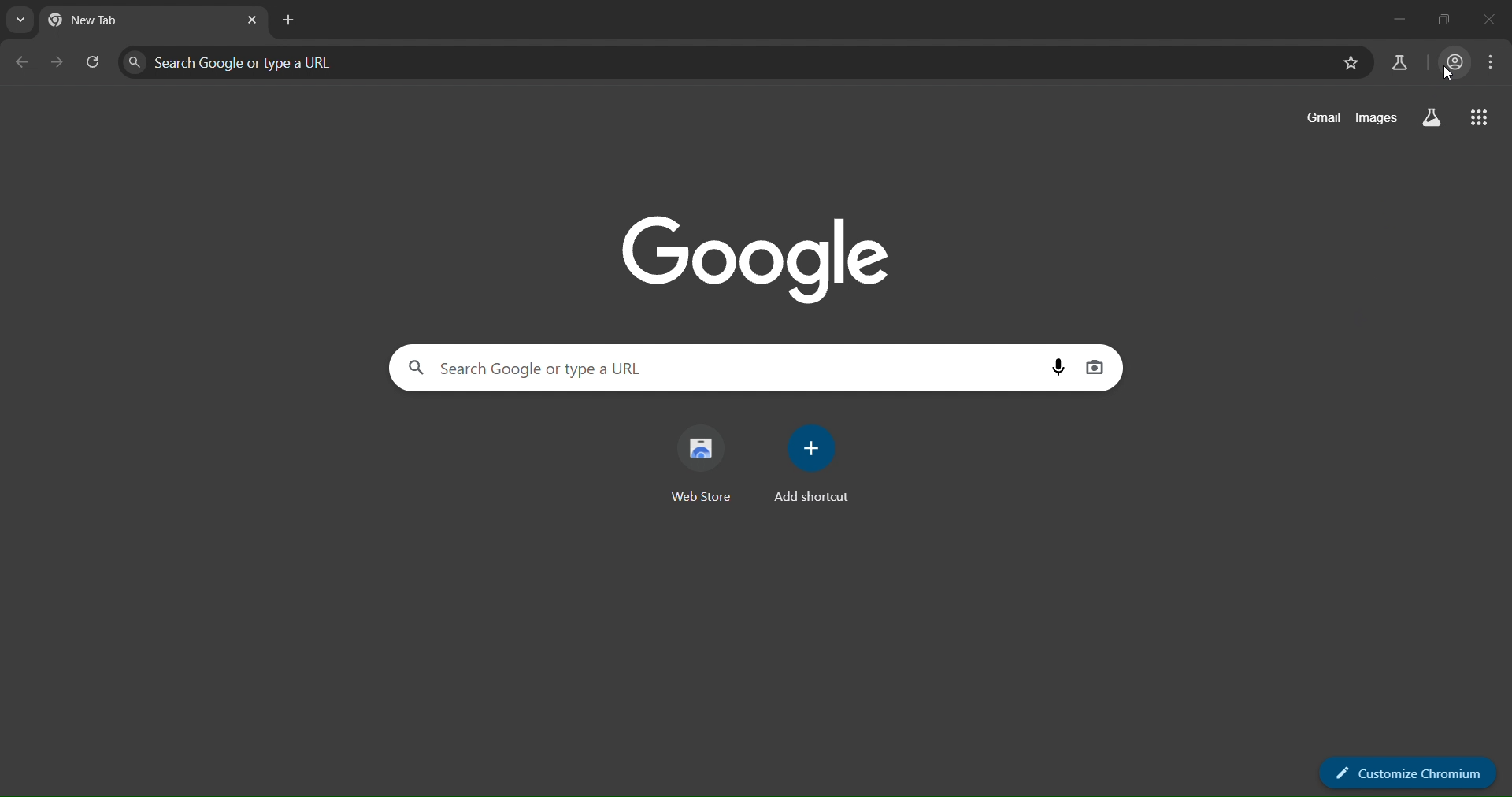  I want to click on menu, so click(1494, 65).